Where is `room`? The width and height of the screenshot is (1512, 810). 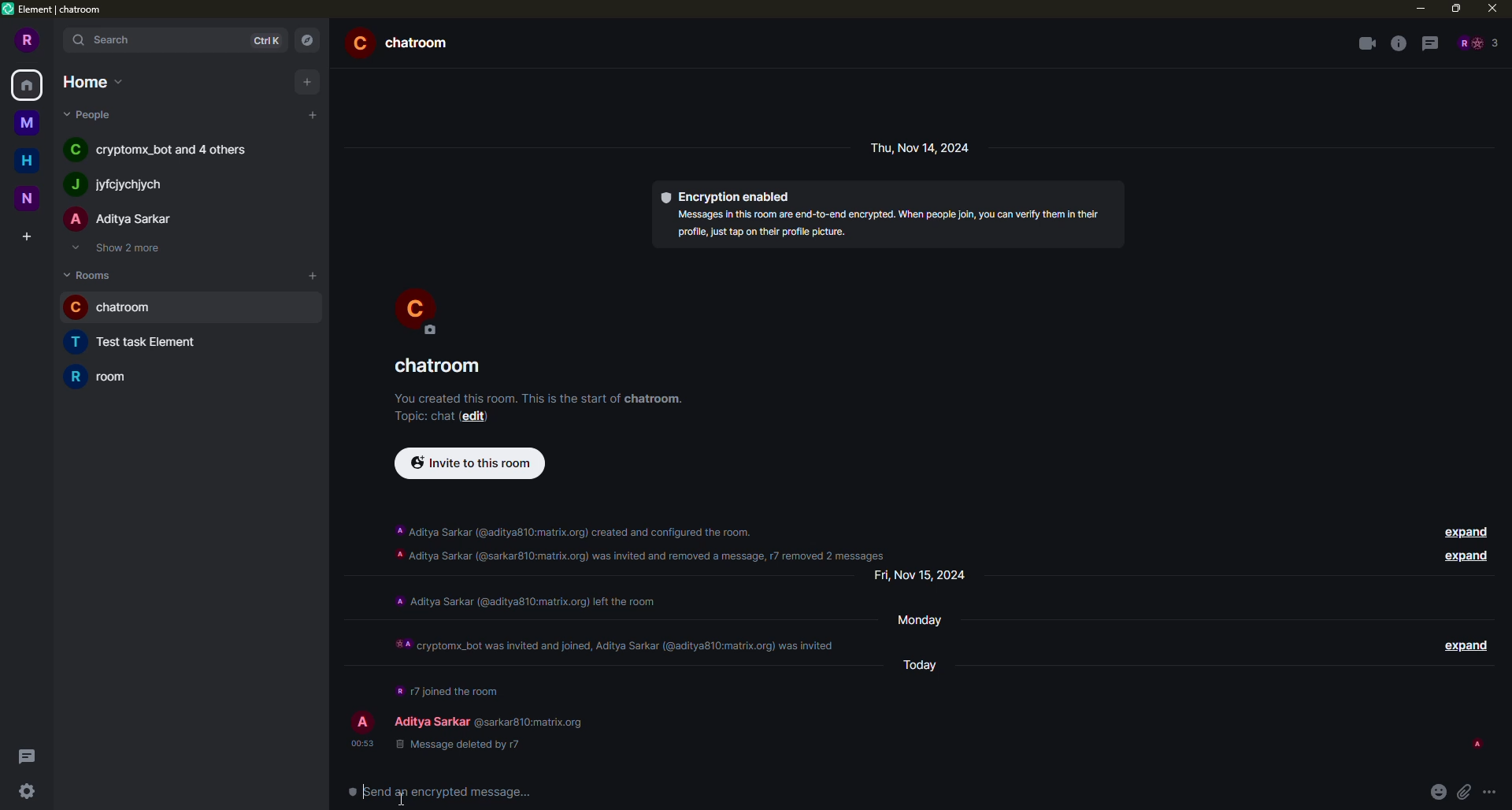 room is located at coordinates (109, 376).